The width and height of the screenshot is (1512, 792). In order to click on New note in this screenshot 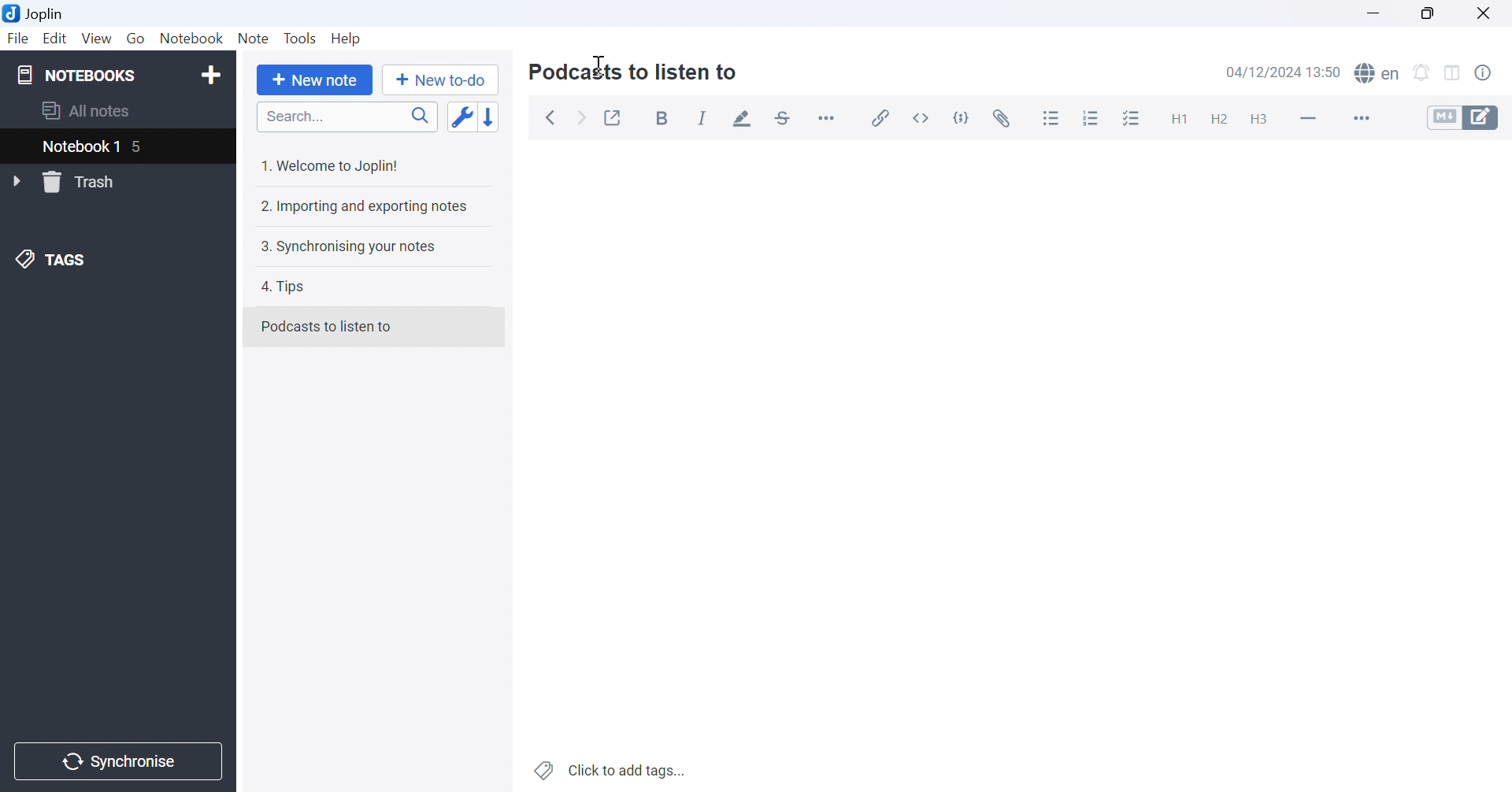, I will do `click(318, 81)`.